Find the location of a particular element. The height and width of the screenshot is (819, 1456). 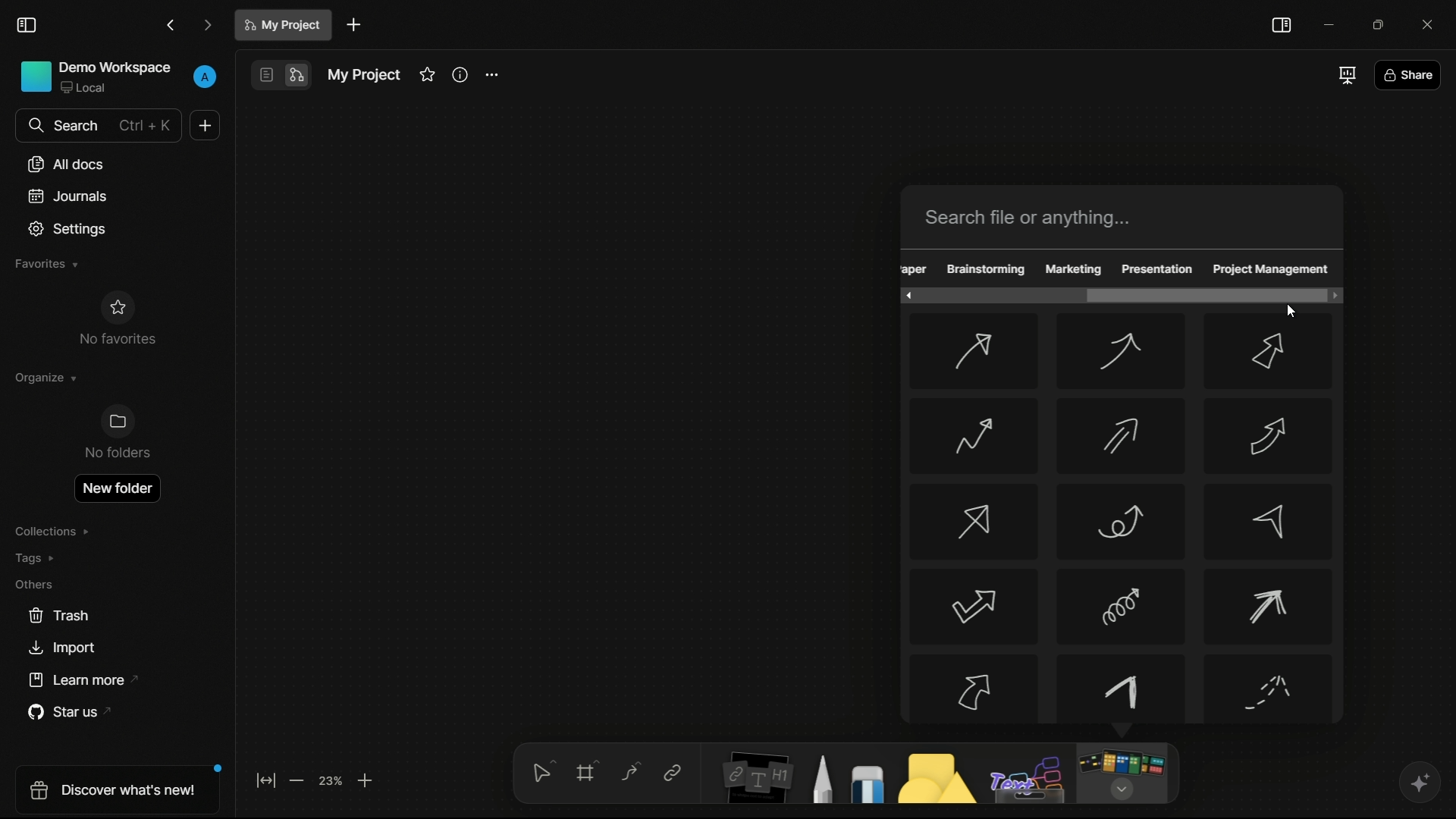

marketing is located at coordinates (1074, 268).